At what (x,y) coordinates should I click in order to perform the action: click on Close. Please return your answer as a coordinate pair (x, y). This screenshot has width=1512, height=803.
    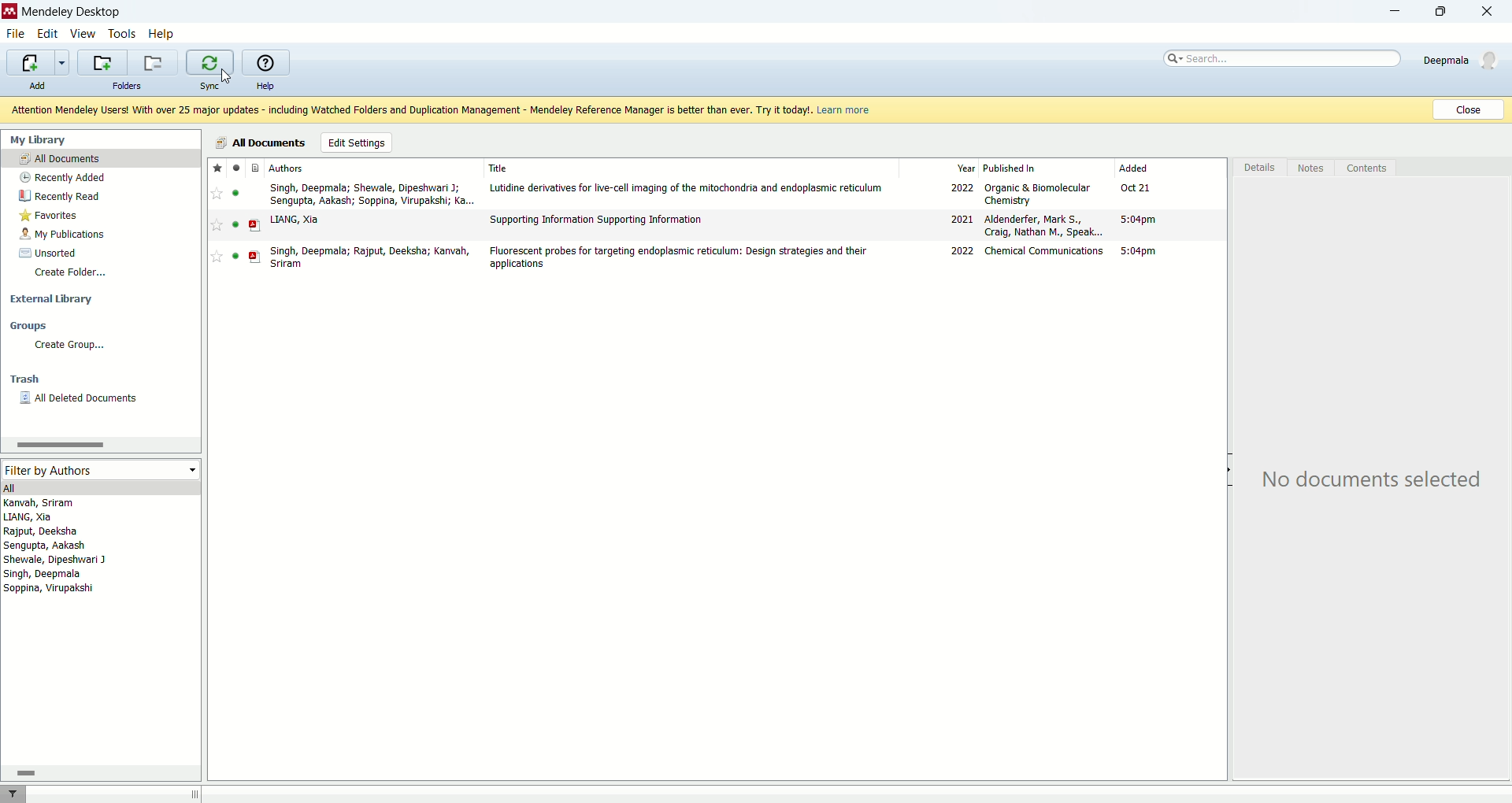
    Looking at the image, I should click on (1468, 110).